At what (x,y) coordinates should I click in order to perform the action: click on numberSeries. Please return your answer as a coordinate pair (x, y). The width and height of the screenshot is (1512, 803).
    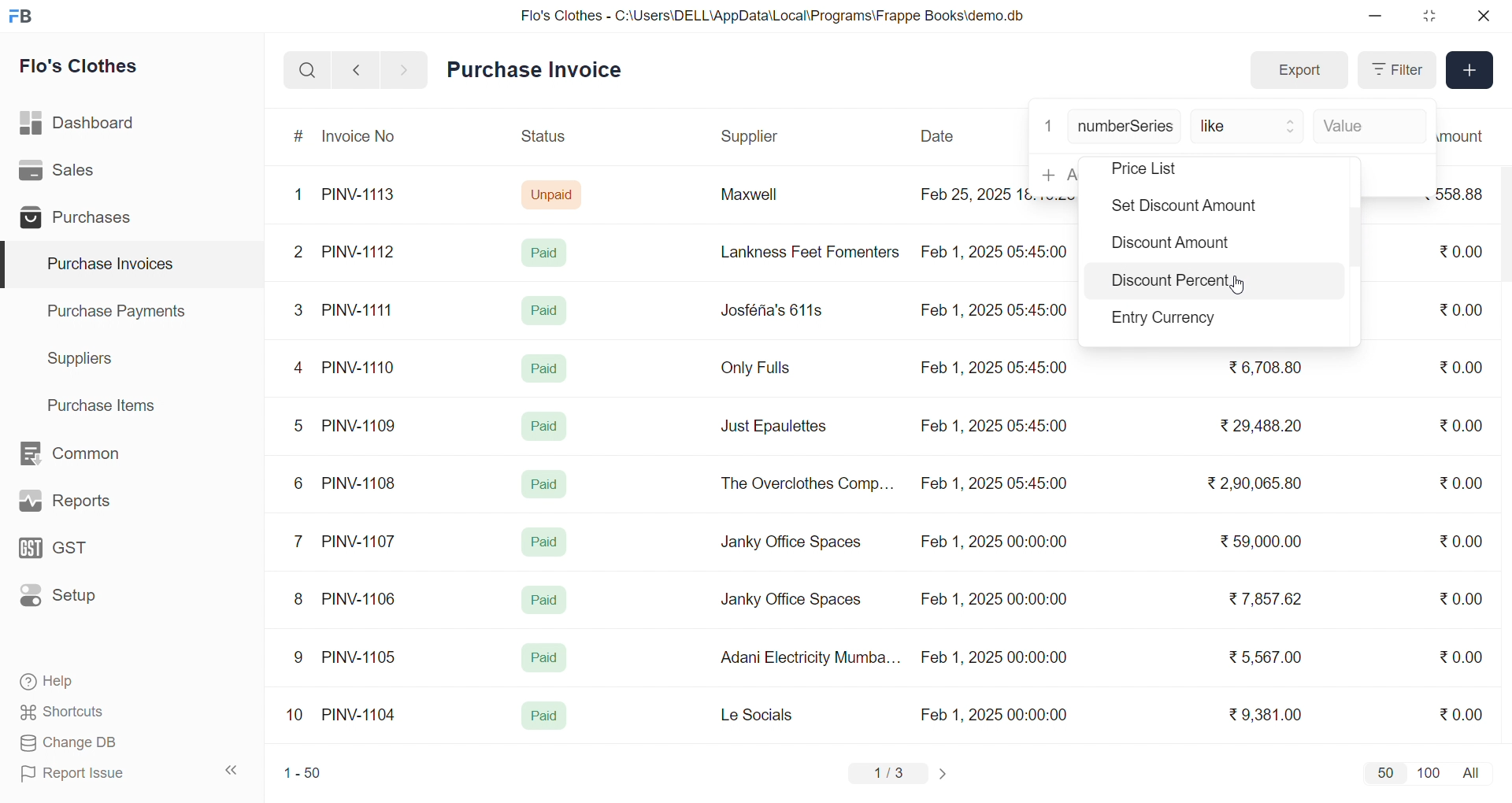
    Looking at the image, I should click on (1125, 128).